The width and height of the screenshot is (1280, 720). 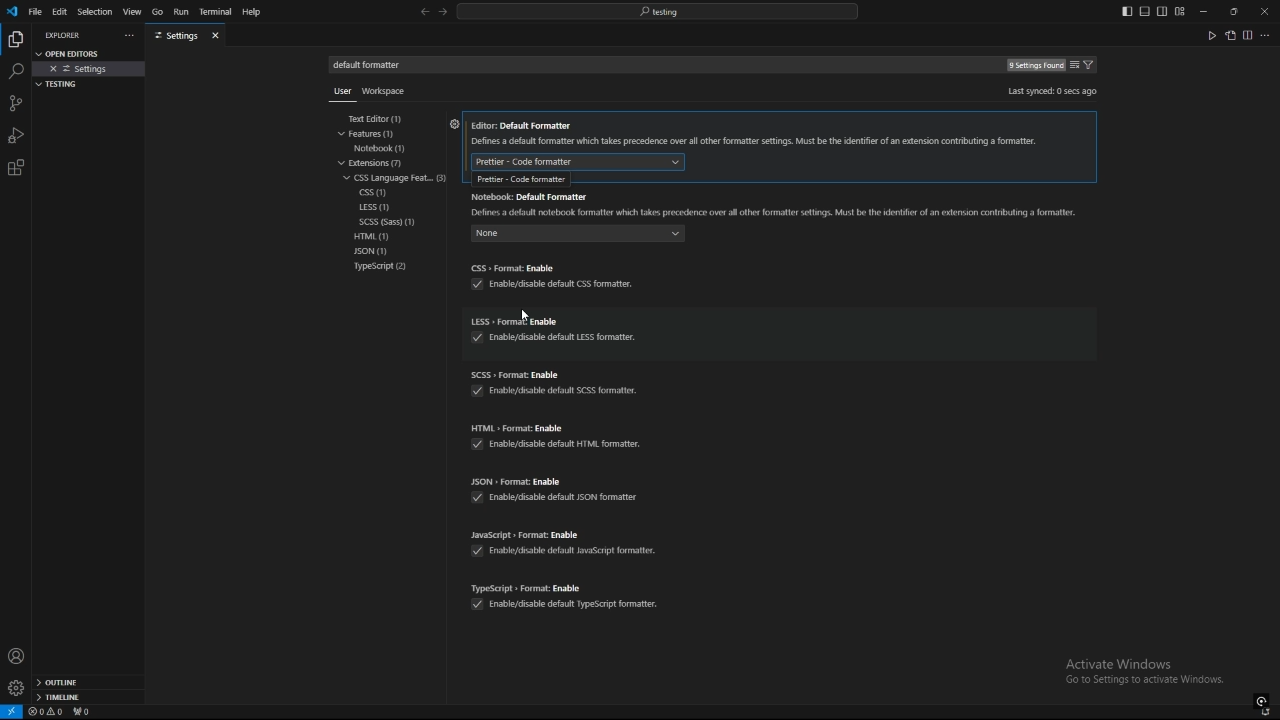 What do you see at coordinates (16, 135) in the screenshot?
I see `run and debug` at bounding box center [16, 135].